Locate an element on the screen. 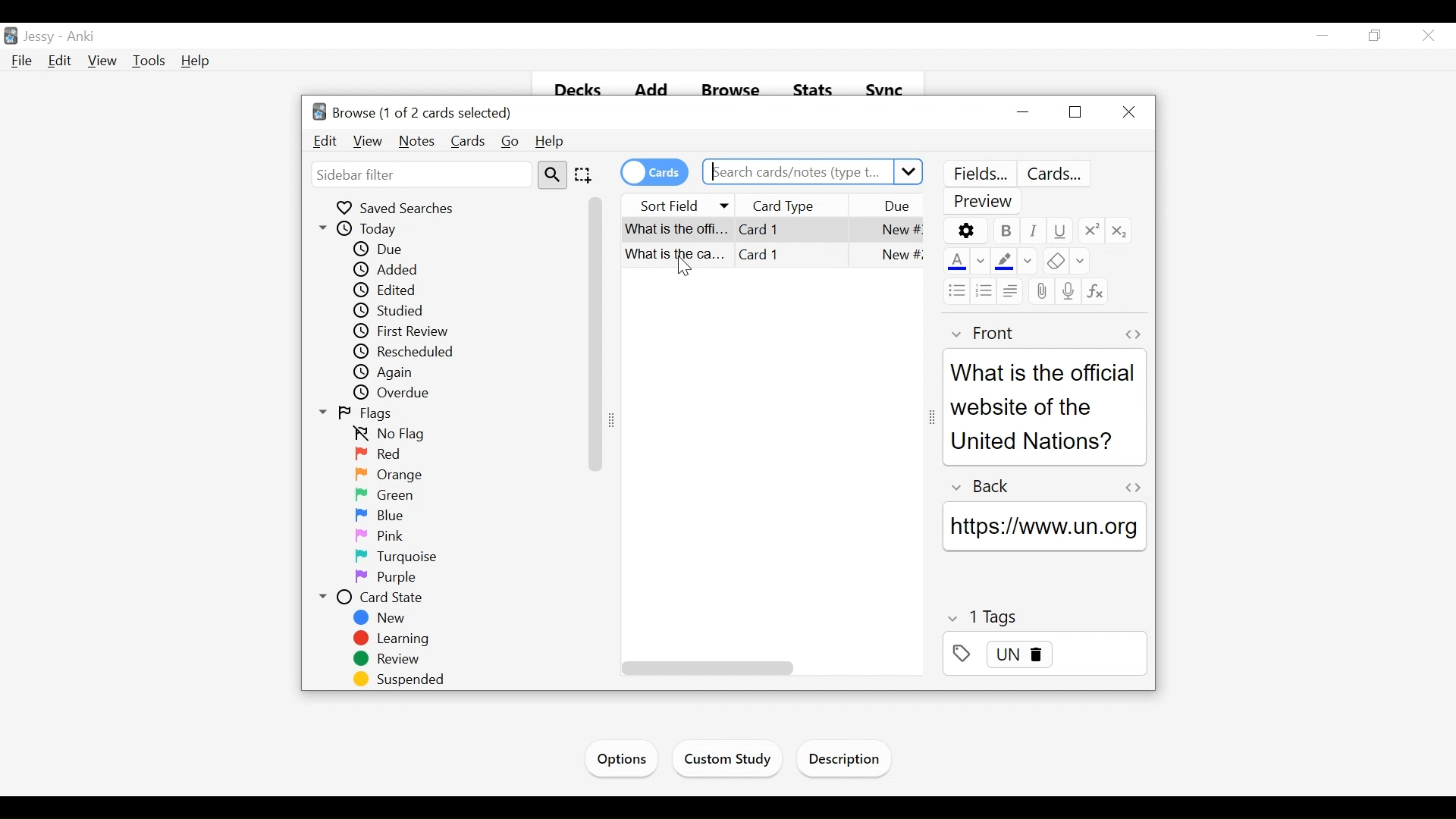 This screenshot has height=819, width=1456. superscipt is located at coordinates (1090, 230).